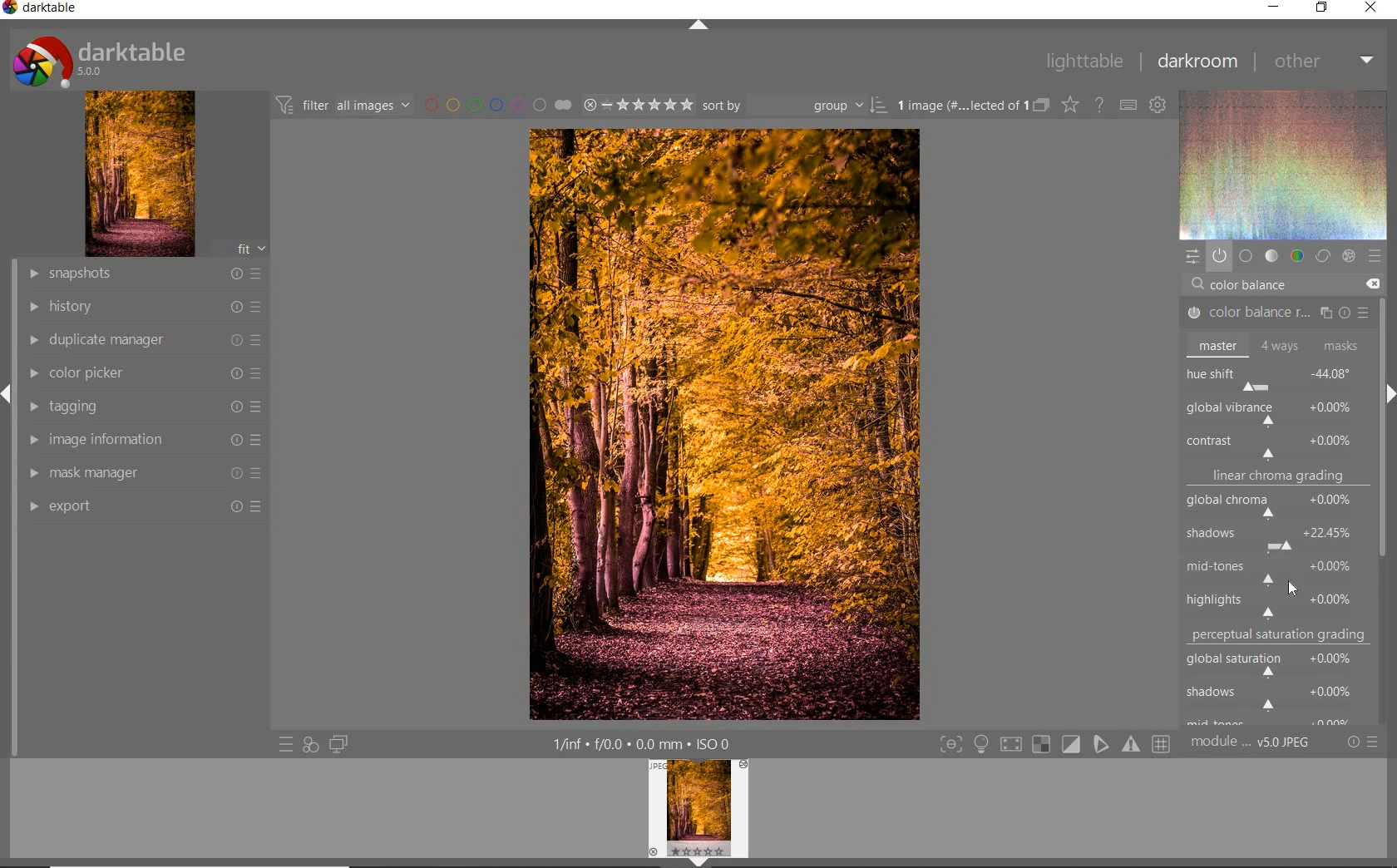  I want to click on quick access panel, so click(1190, 256).